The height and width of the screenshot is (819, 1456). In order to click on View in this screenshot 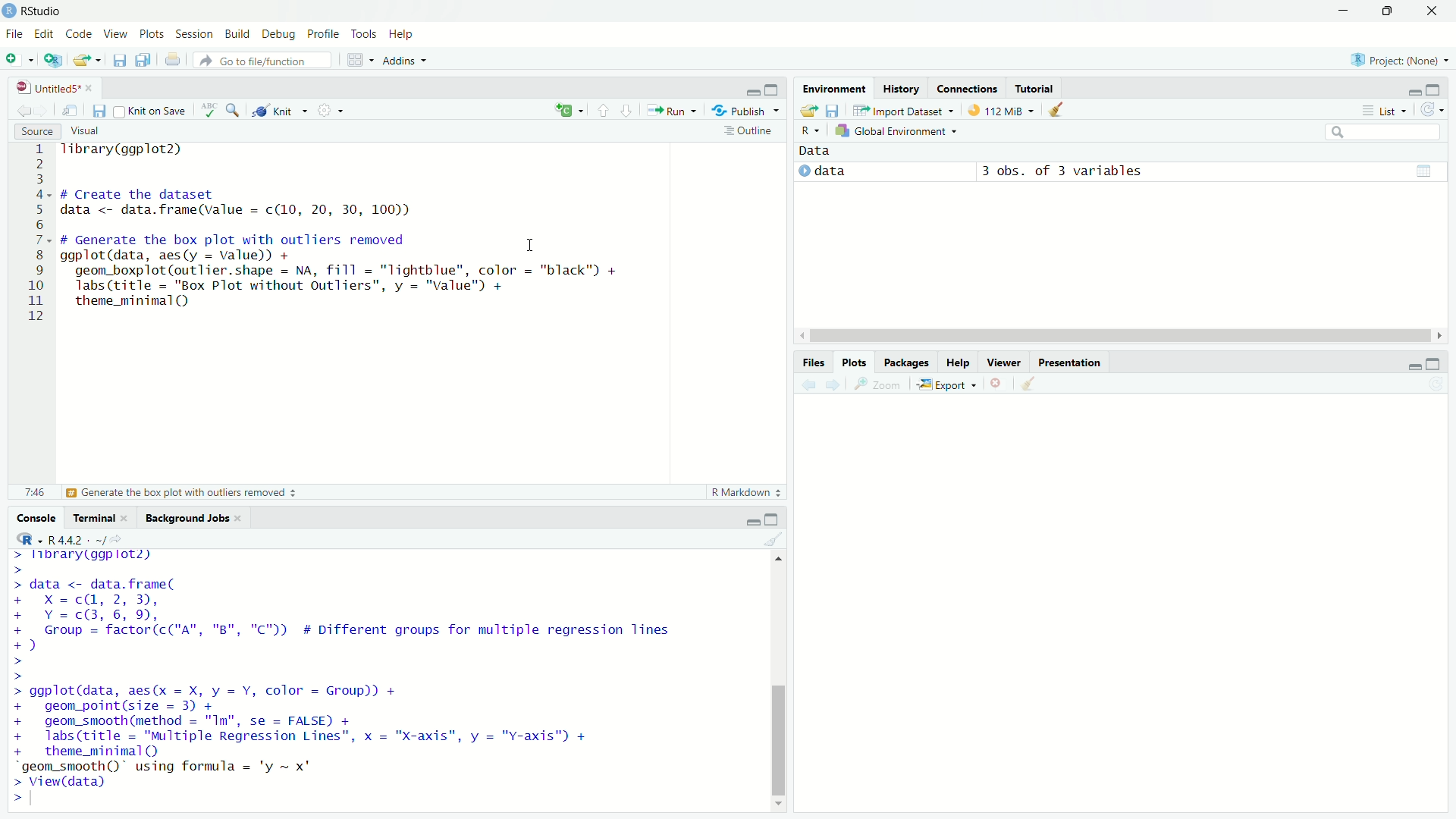, I will do `click(114, 35)`.